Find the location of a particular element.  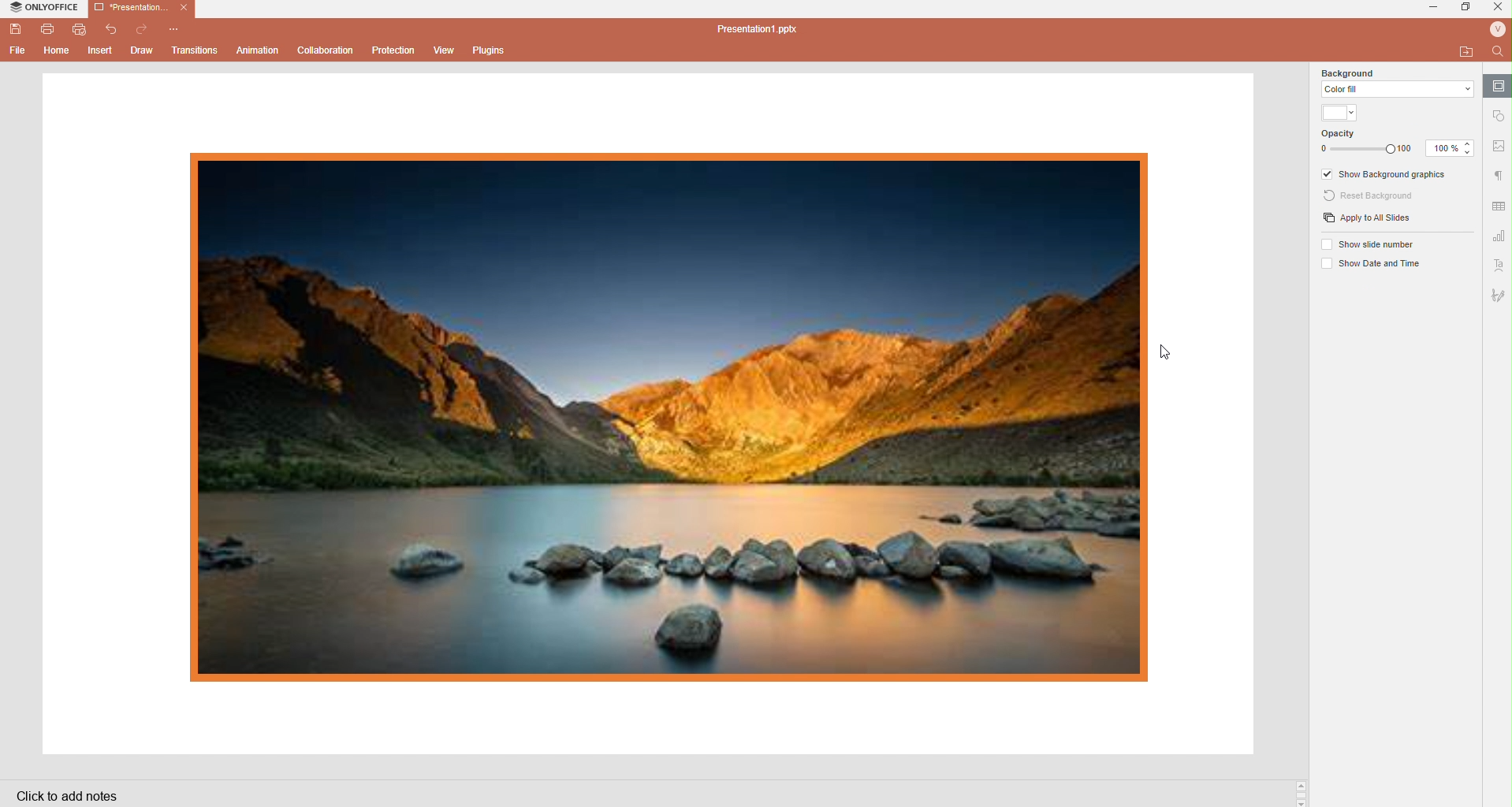

User is located at coordinates (1497, 30).